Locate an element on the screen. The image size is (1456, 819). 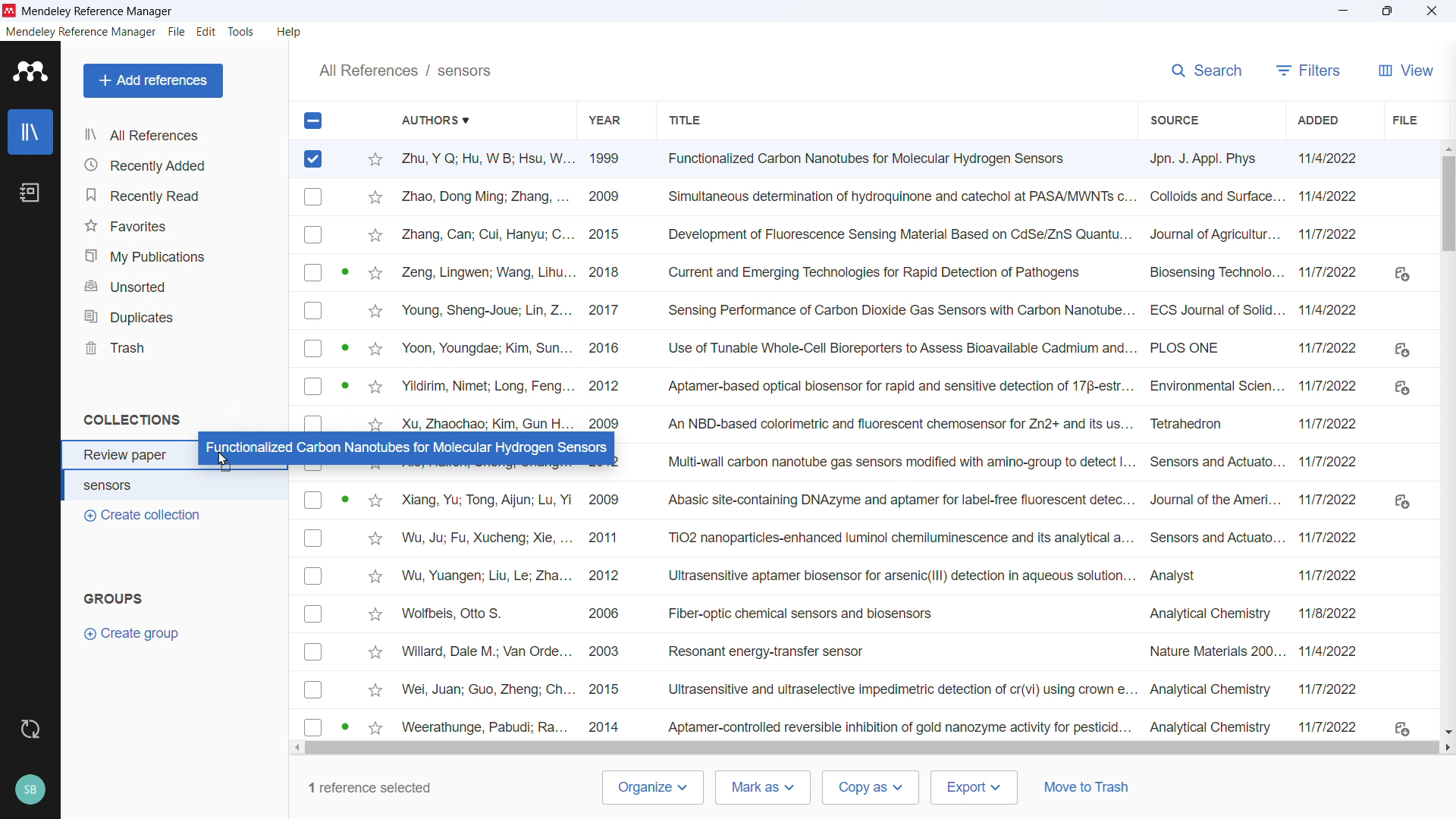
sync  is located at coordinates (31, 729).